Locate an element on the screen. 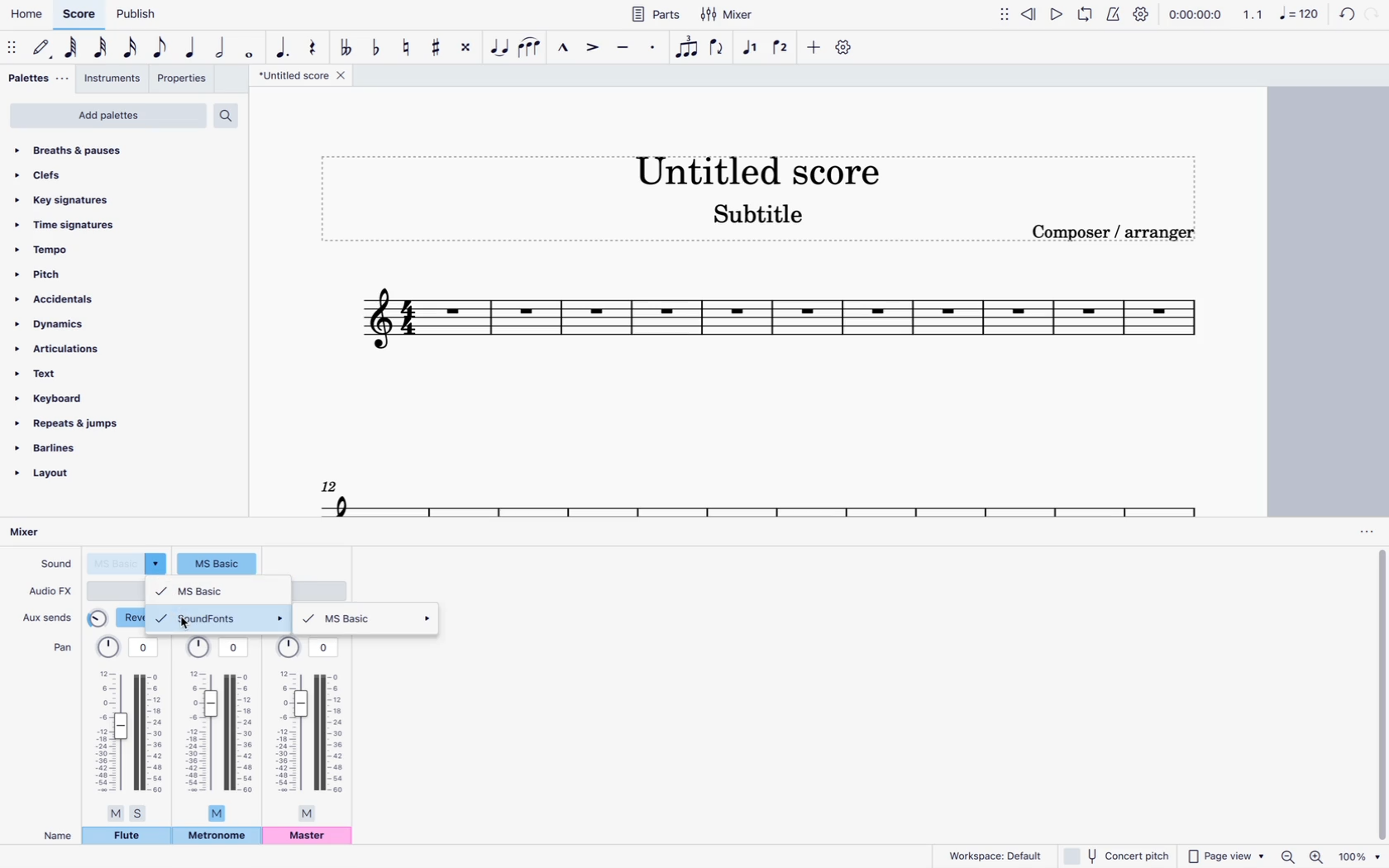  toggle natural is located at coordinates (404, 46).